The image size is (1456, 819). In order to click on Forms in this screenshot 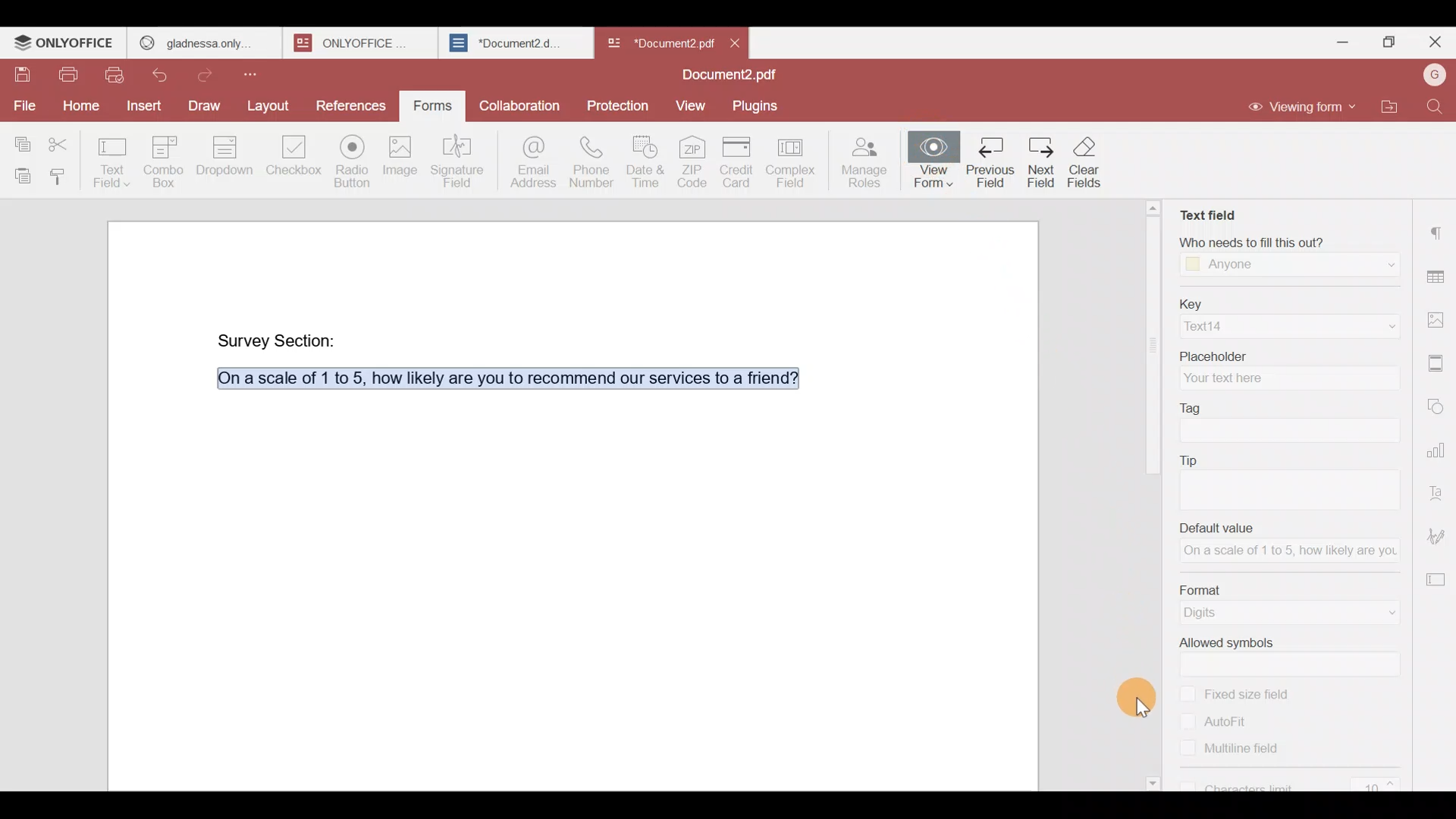, I will do `click(427, 106)`.